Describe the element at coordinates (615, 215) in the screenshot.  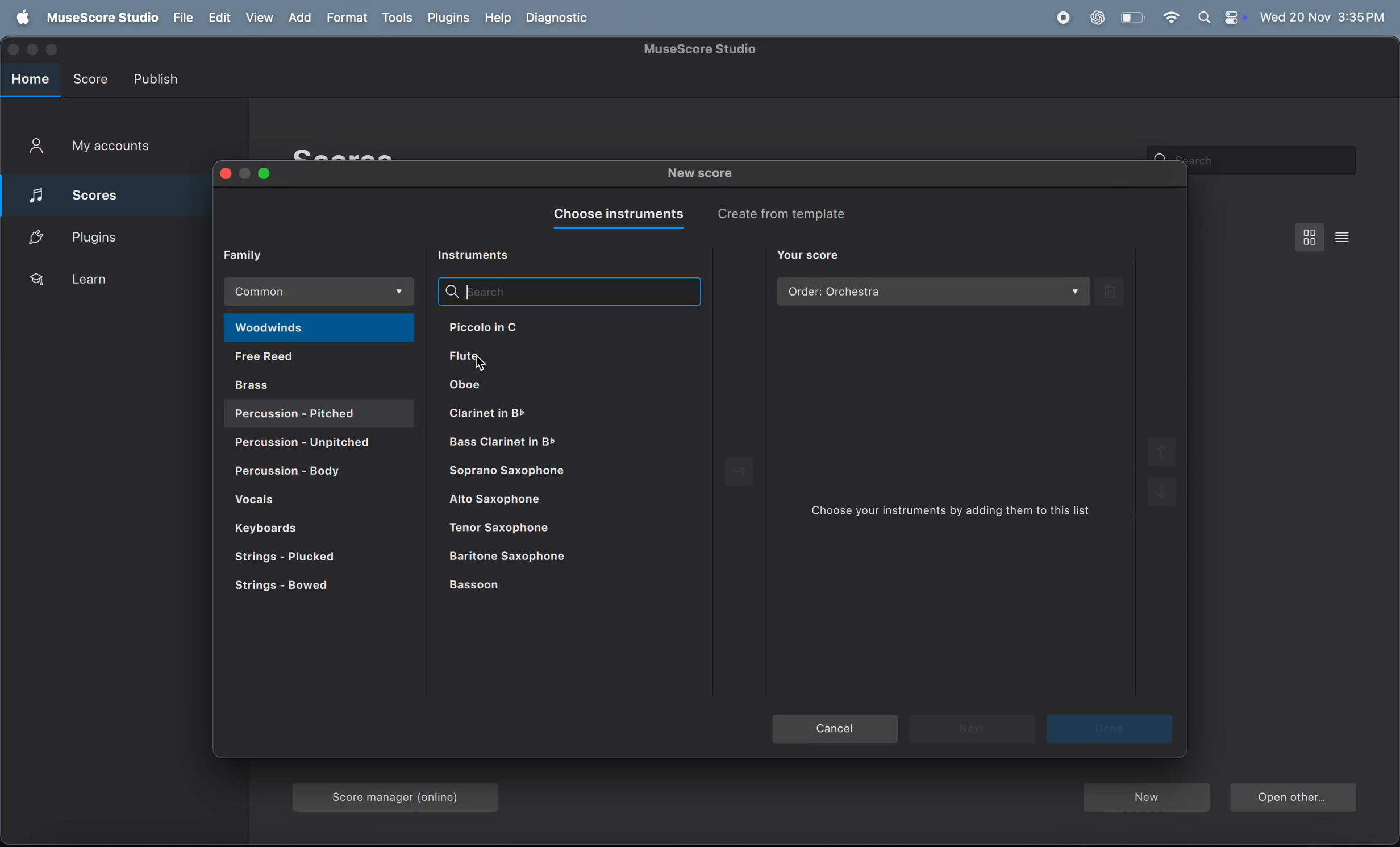
I see `choose instrument` at that location.